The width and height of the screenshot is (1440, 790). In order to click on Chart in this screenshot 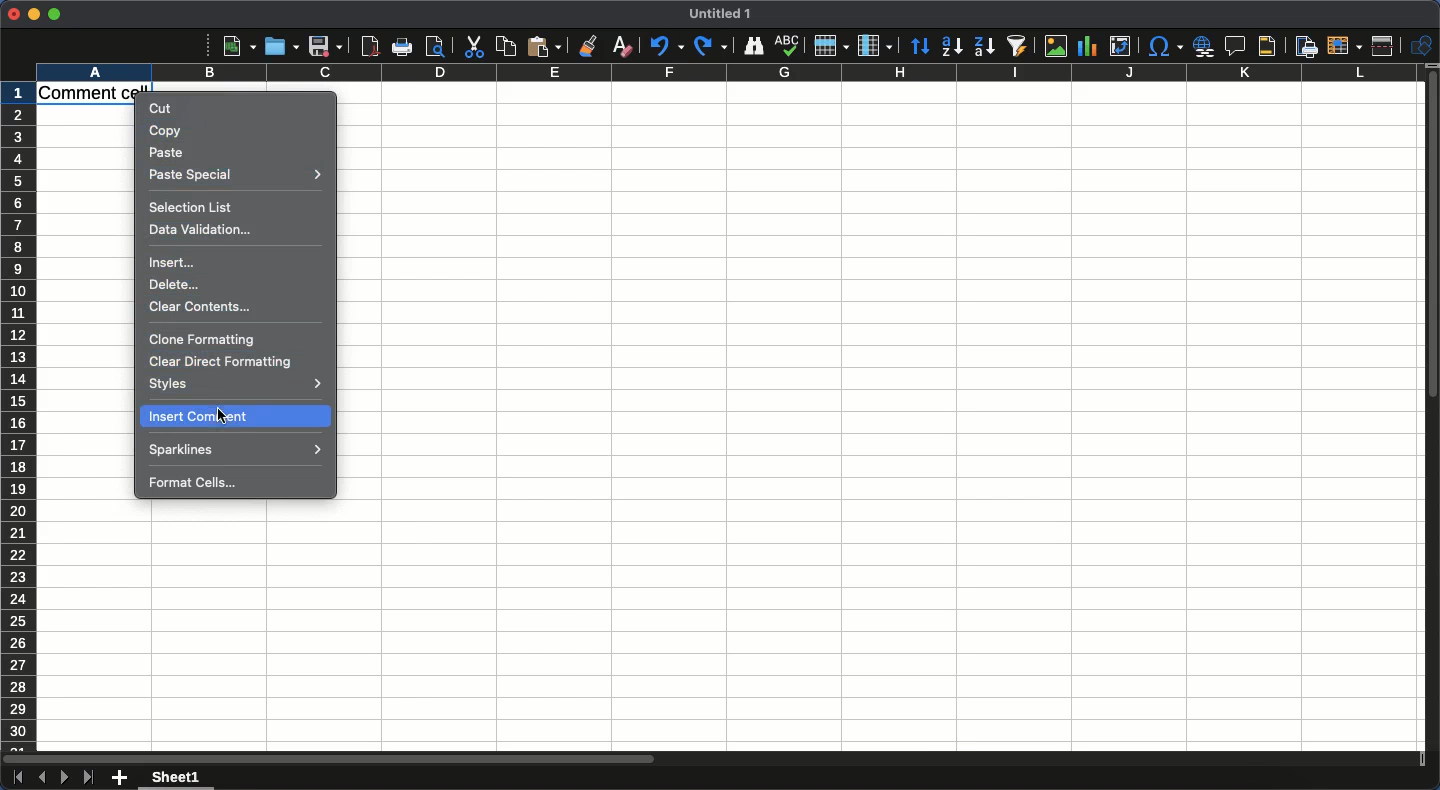, I will do `click(1086, 45)`.